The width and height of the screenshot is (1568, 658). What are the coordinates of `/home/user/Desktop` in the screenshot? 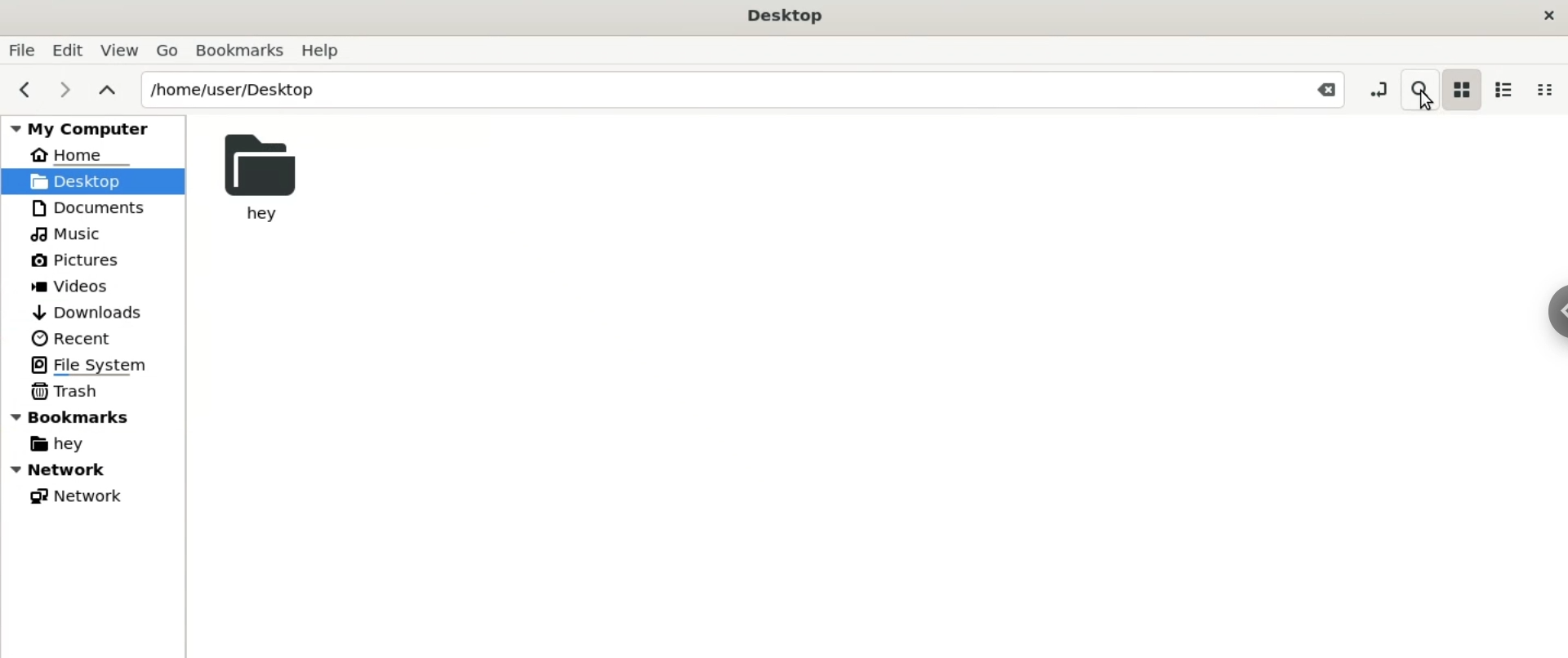 It's located at (708, 87).